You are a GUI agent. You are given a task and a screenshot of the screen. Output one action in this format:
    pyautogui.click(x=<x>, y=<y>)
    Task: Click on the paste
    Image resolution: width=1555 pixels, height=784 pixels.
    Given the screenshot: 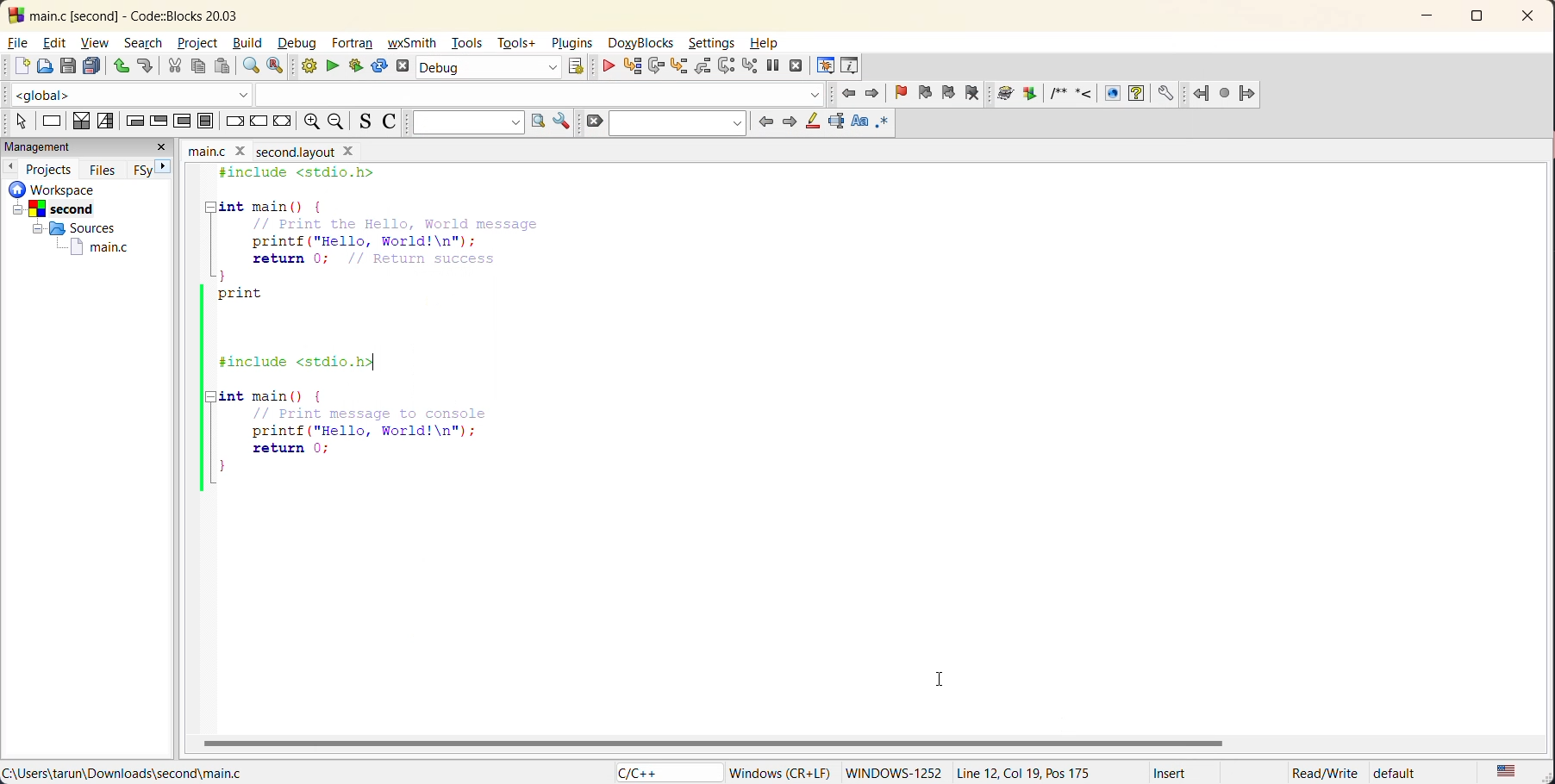 What is the action you would take?
    pyautogui.click(x=222, y=66)
    